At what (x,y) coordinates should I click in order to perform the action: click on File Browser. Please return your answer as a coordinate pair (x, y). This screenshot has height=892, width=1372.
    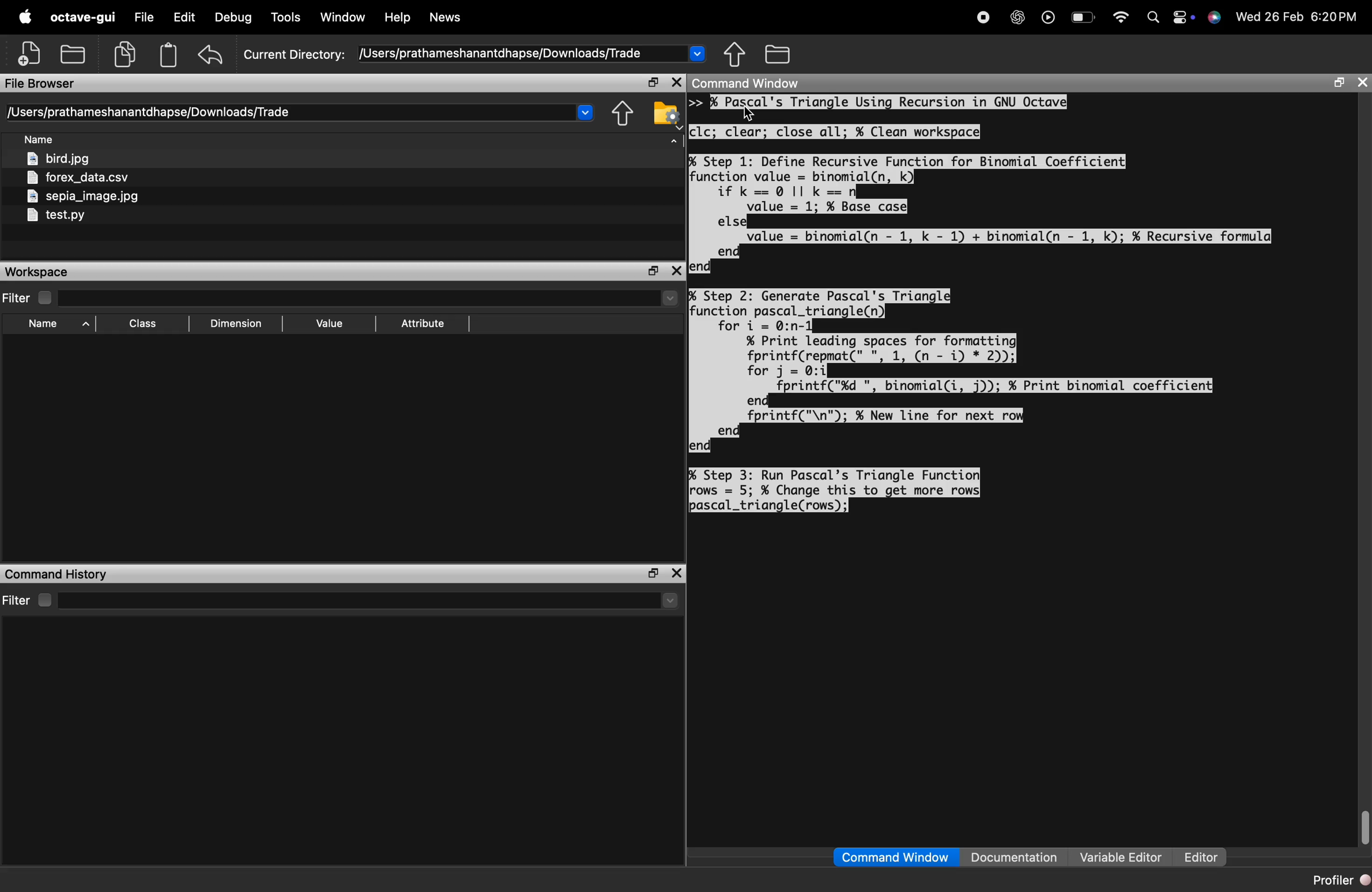
    Looking at the image, I should click on (41, 84).